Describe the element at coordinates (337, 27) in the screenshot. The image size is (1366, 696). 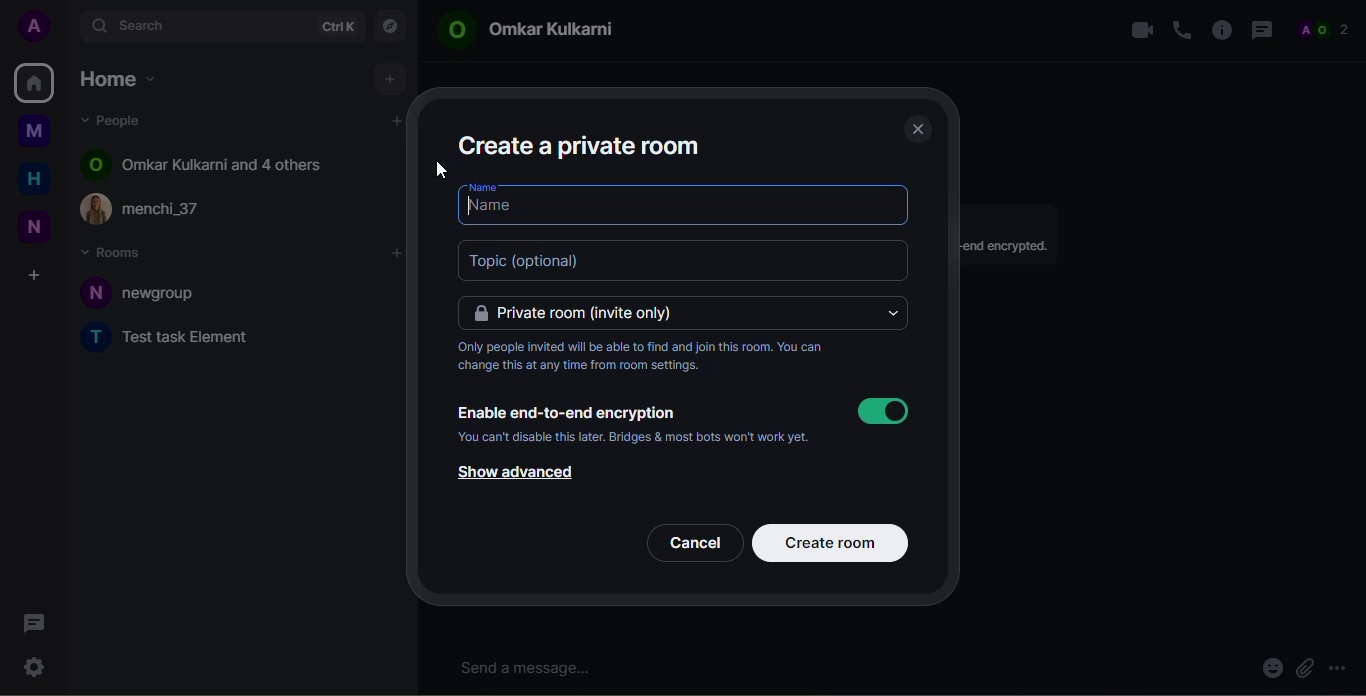
I see `ctrlK` at that location.